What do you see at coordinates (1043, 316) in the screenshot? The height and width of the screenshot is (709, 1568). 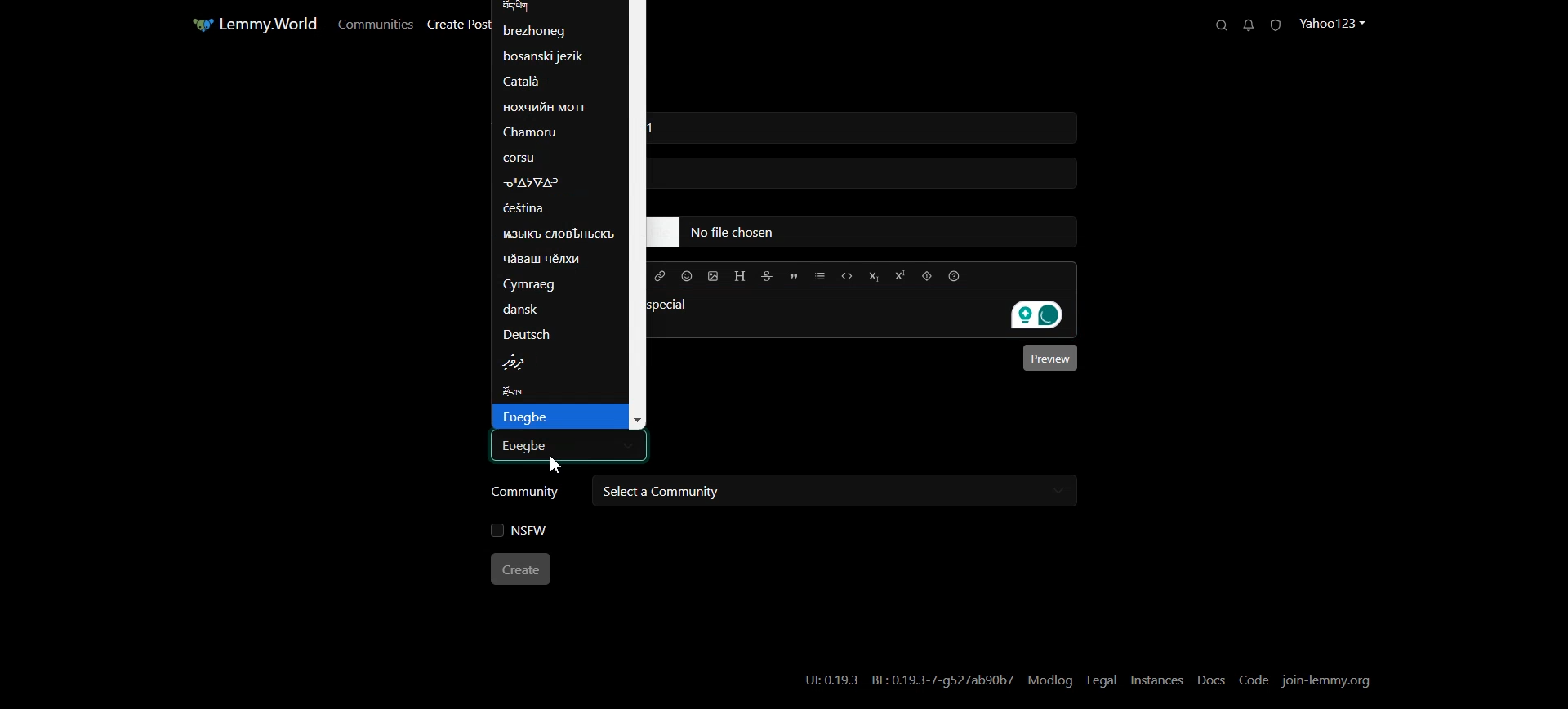 I see `Grammarly extension` at bounding box center [1043, 316].